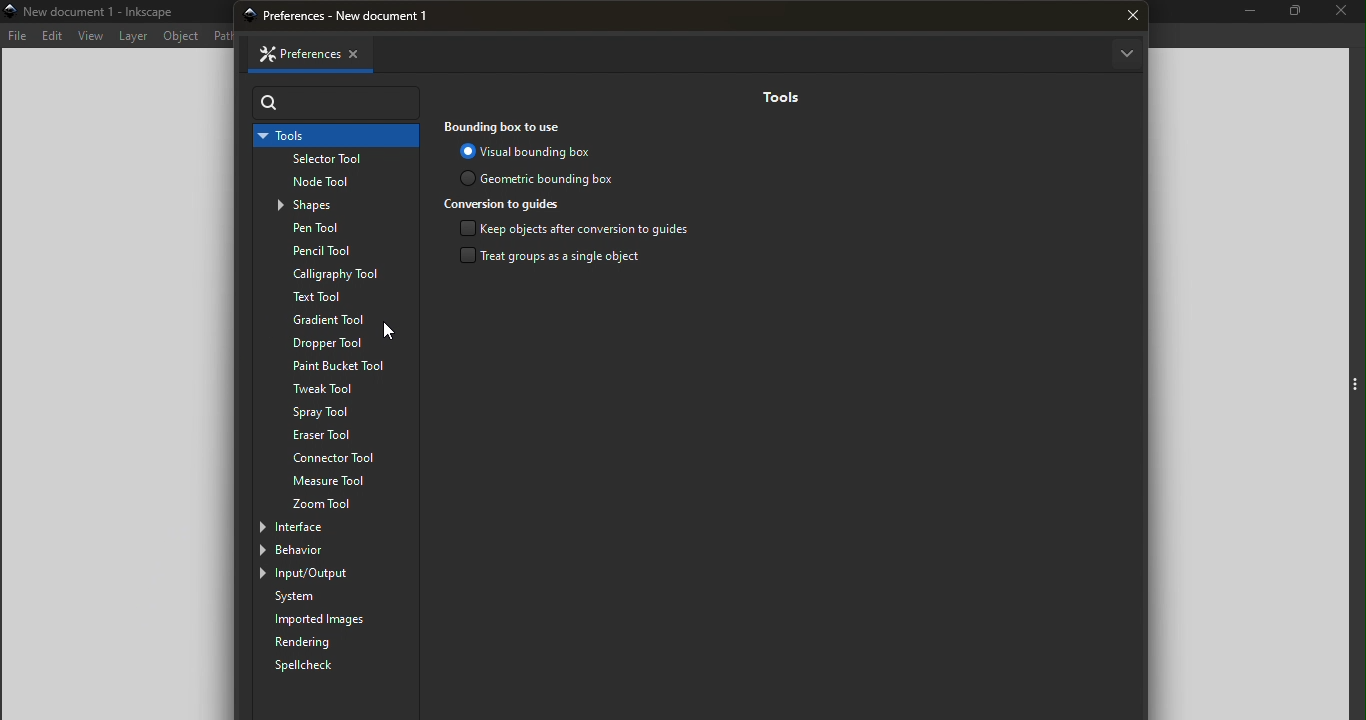 The width and height of the screenshot is (1366, 720). Describe the element at coordinates (329, 366) in the screenshot. I see `Paint bucket tool` at that location.